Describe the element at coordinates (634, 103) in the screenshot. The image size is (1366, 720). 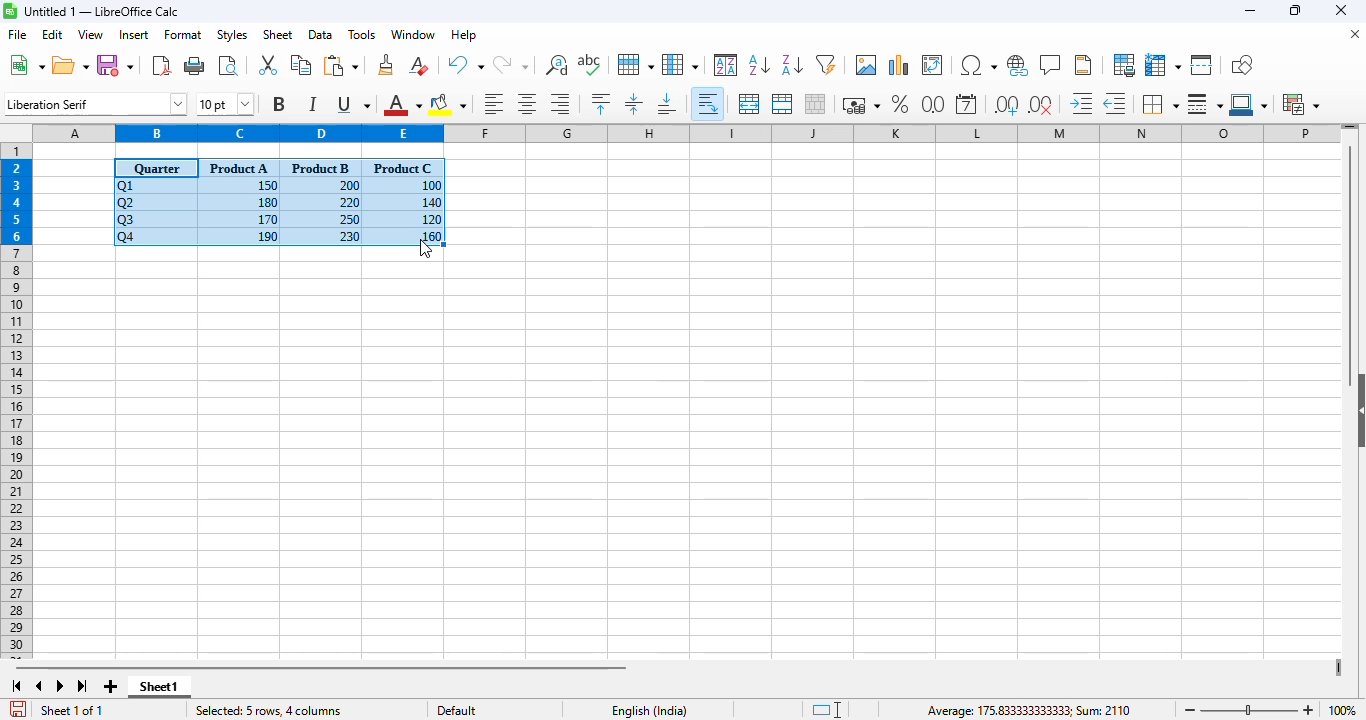
I see `center vertically` at that location.